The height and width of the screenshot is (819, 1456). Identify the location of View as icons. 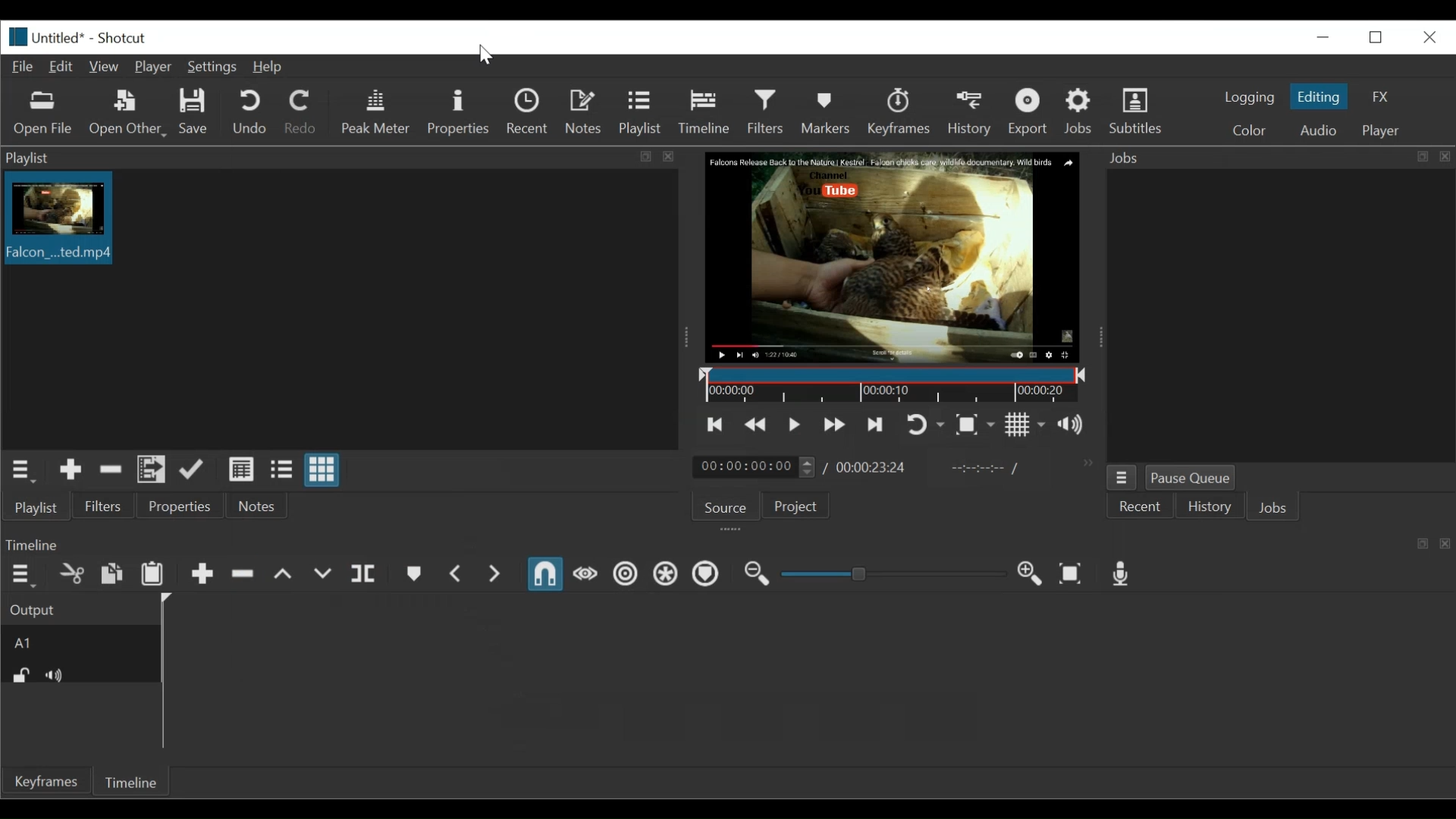
(322, 471).